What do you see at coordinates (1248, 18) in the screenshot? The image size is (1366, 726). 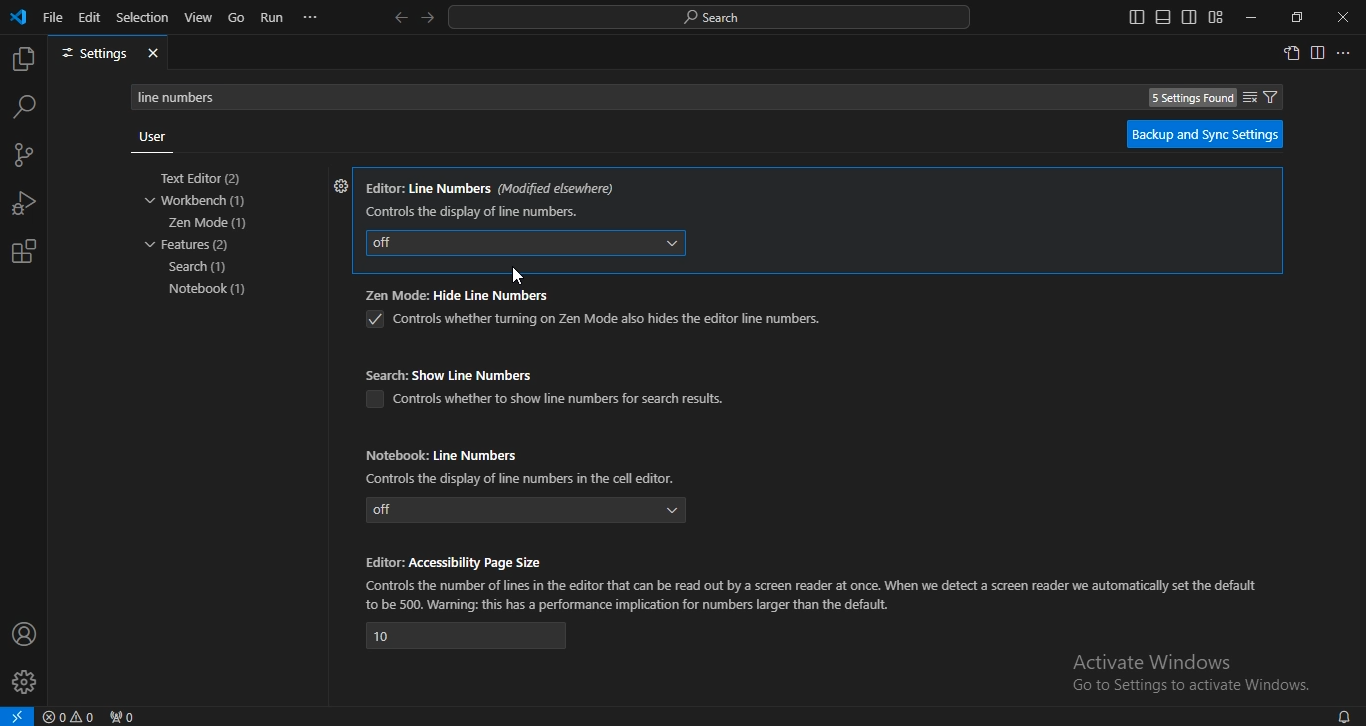 I see `minimize` at bounding box center [1248, 18].